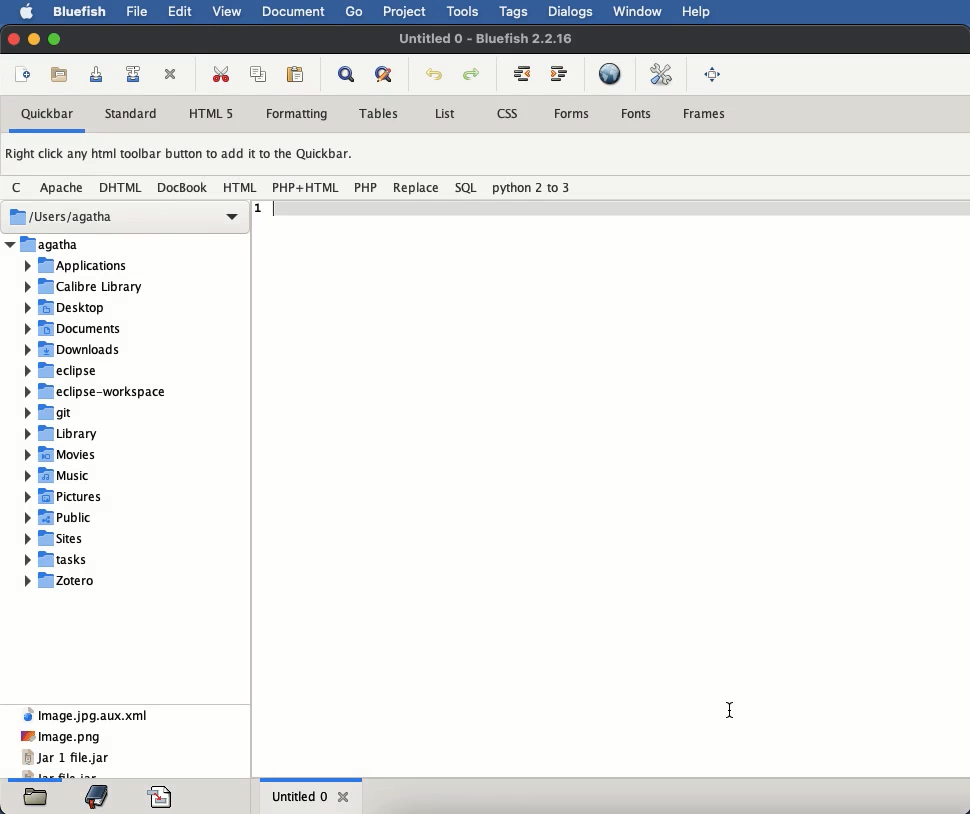 The height and width of the screenshot is (814, 970). I want to click on replace, so click(416, 188).